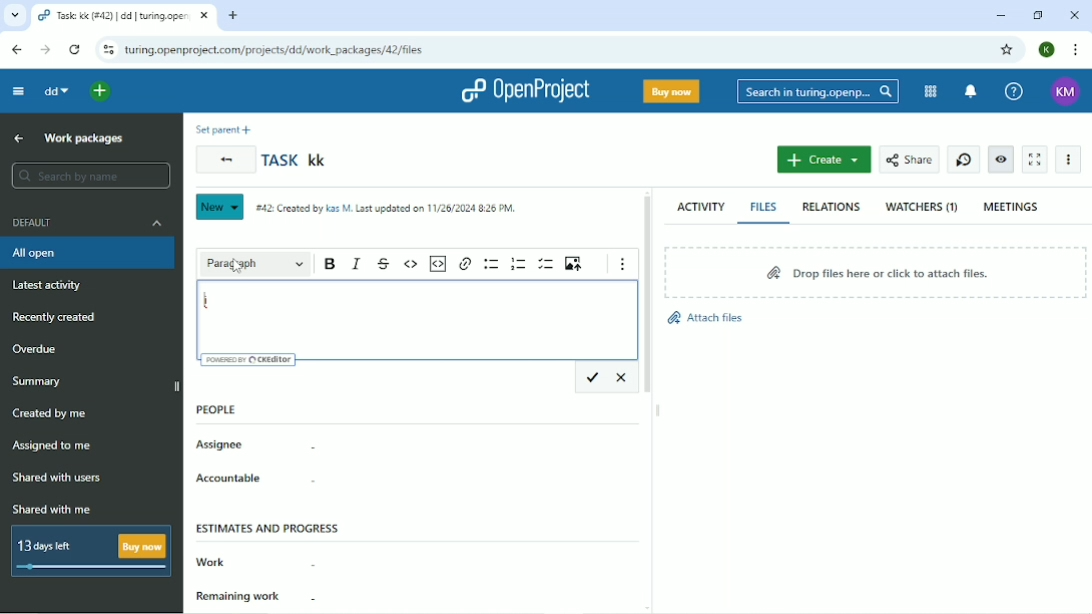 The height and width of the screenshot is (614, 1092). What do you see at coordinates (54, 446) in the screenshot?
I see `Assigned to me` at bounding box center [54, 446].